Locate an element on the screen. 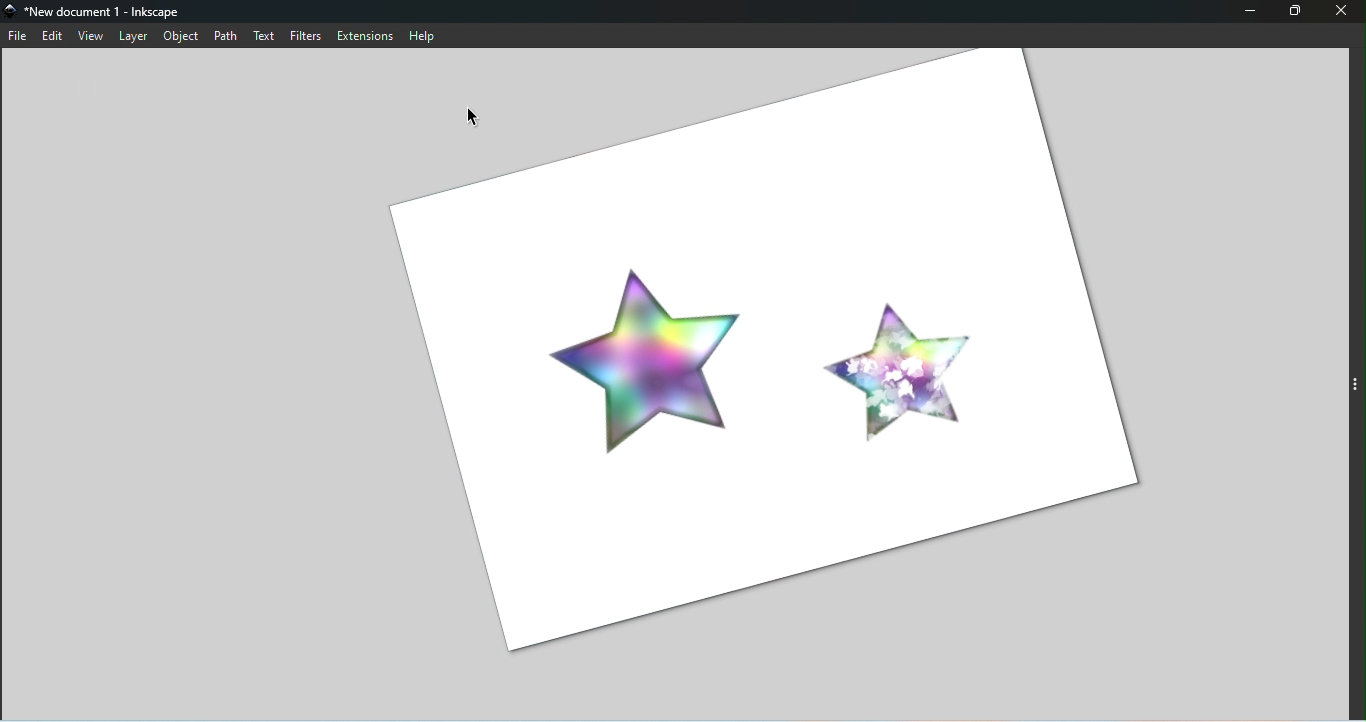 The width and height of the screenshot is (1366, 722). CLockwise is located at coordinates (822, 374).